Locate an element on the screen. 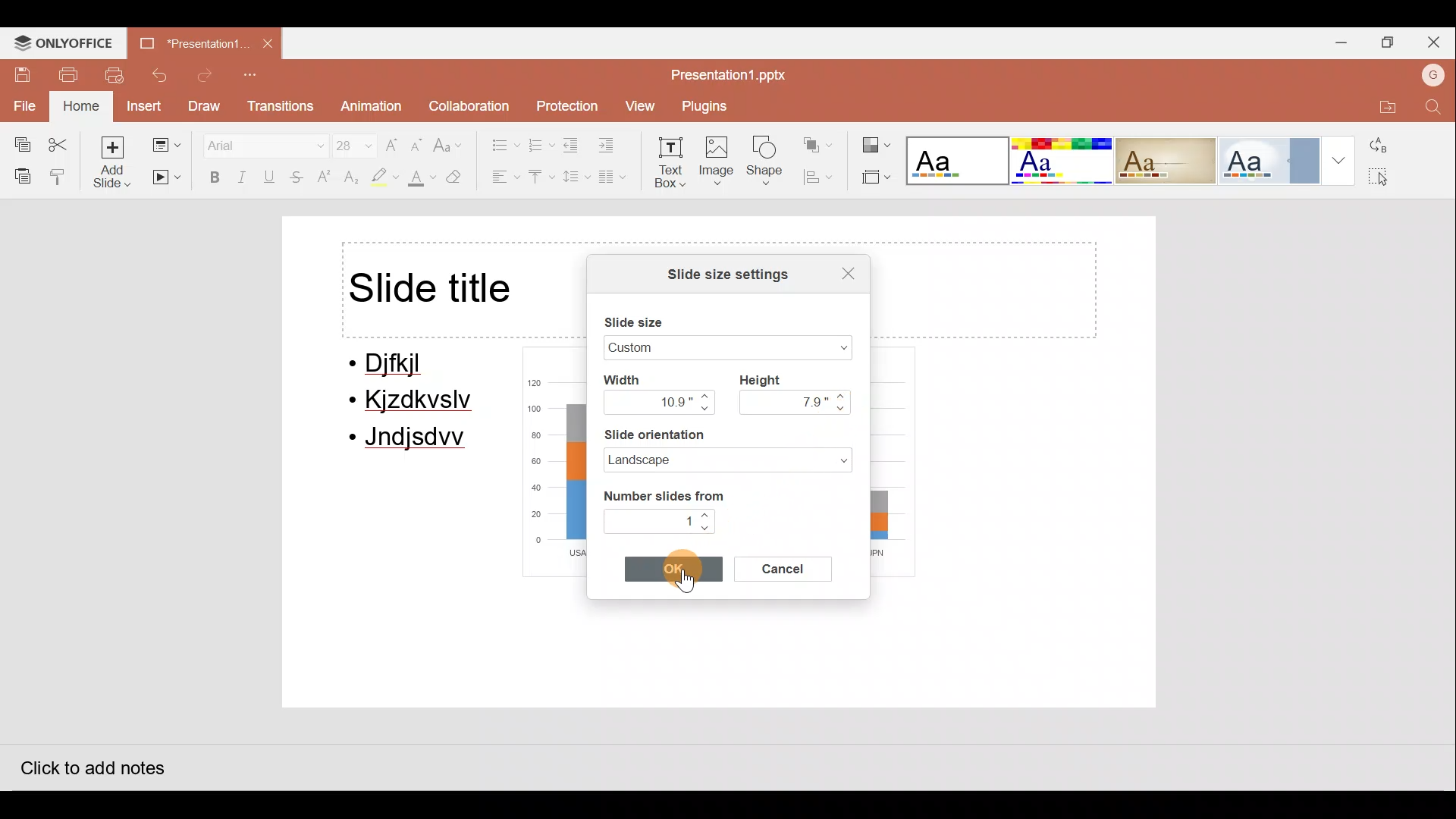 Image resolution: width=1456 pixels, height=819 pixels. Decrease font size is located at coordinates (419, 140).